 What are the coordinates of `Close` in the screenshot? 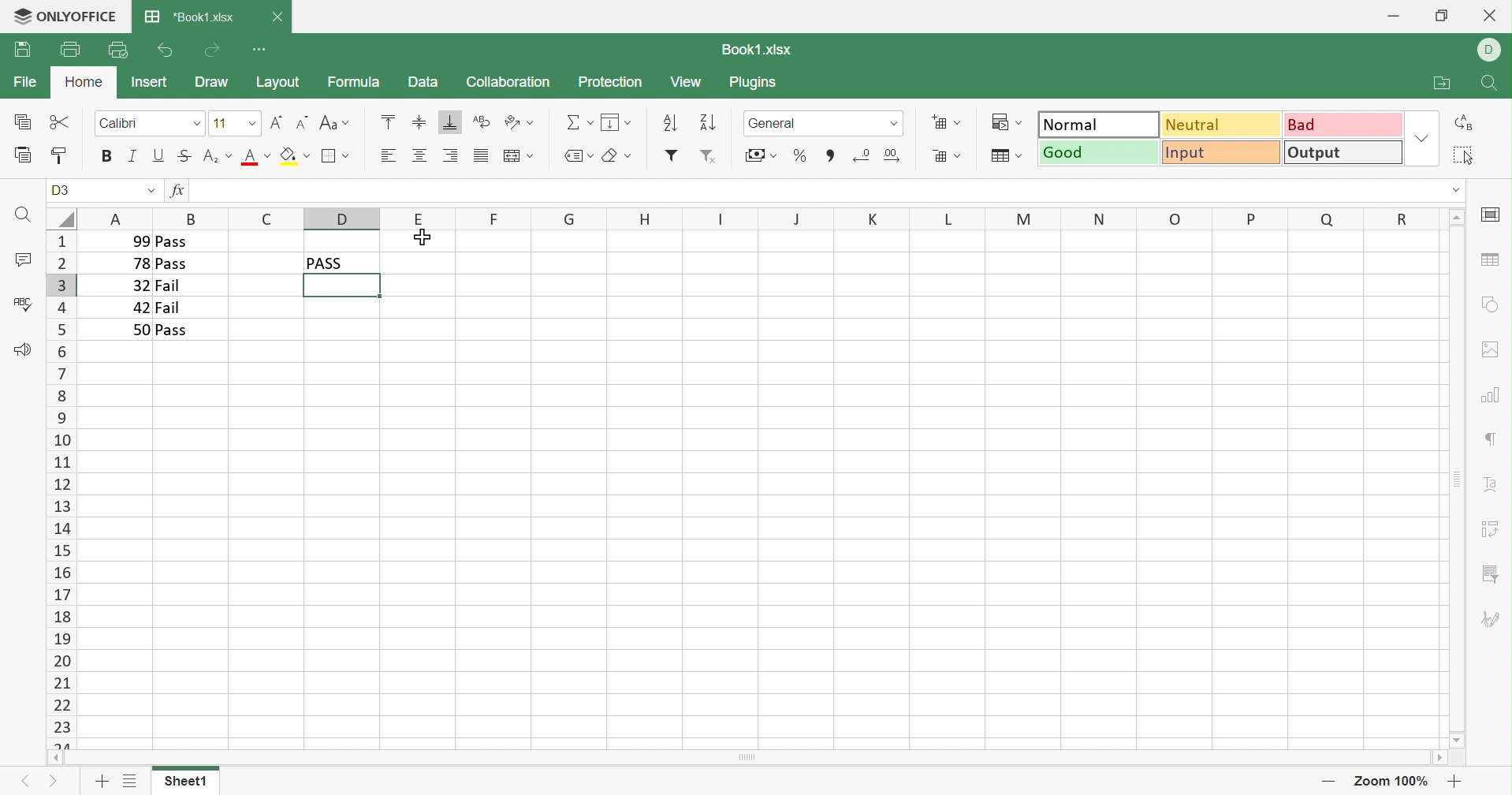 It's located at (1493, 14).